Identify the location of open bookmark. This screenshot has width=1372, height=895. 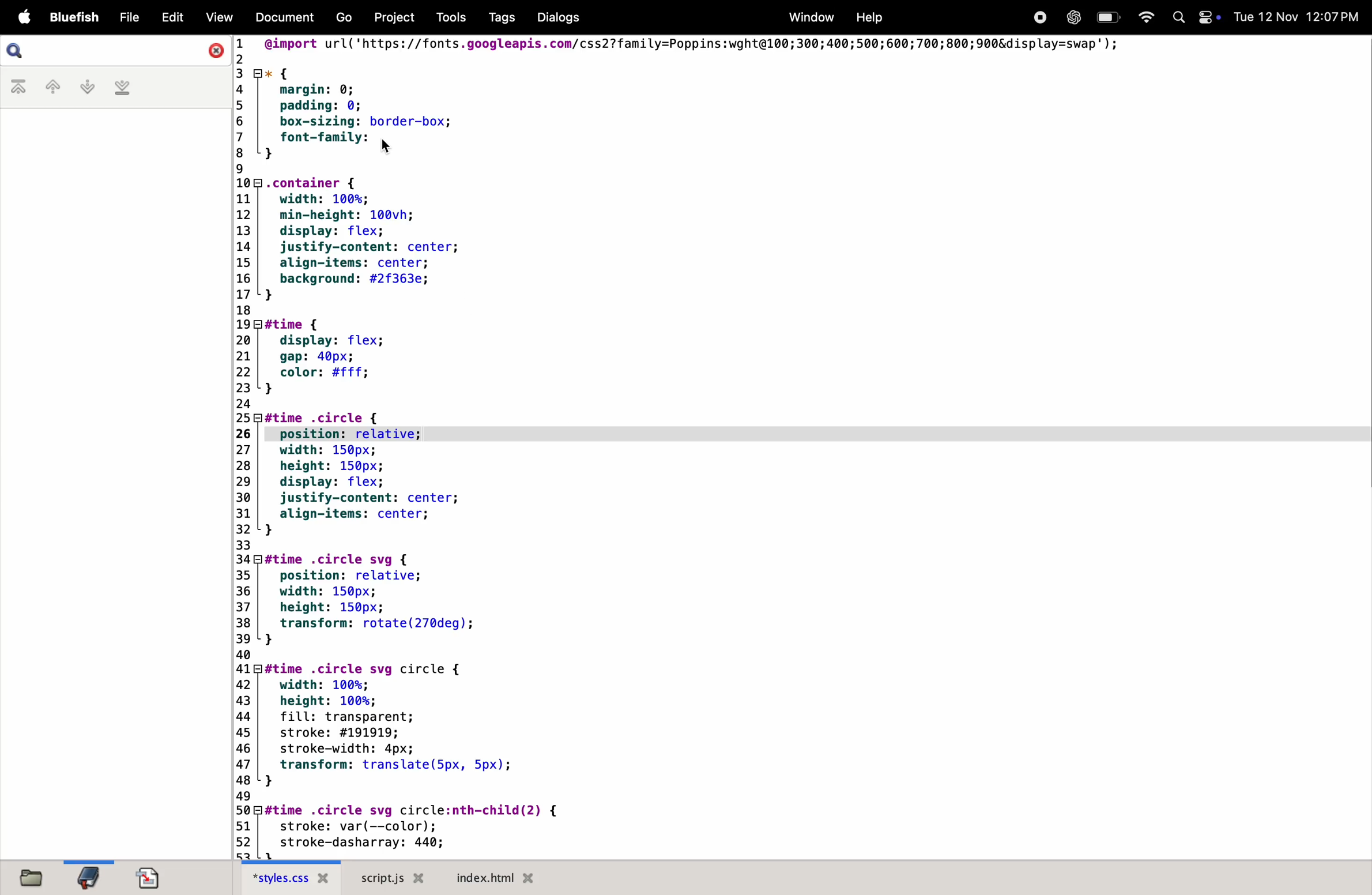
(89, 877).